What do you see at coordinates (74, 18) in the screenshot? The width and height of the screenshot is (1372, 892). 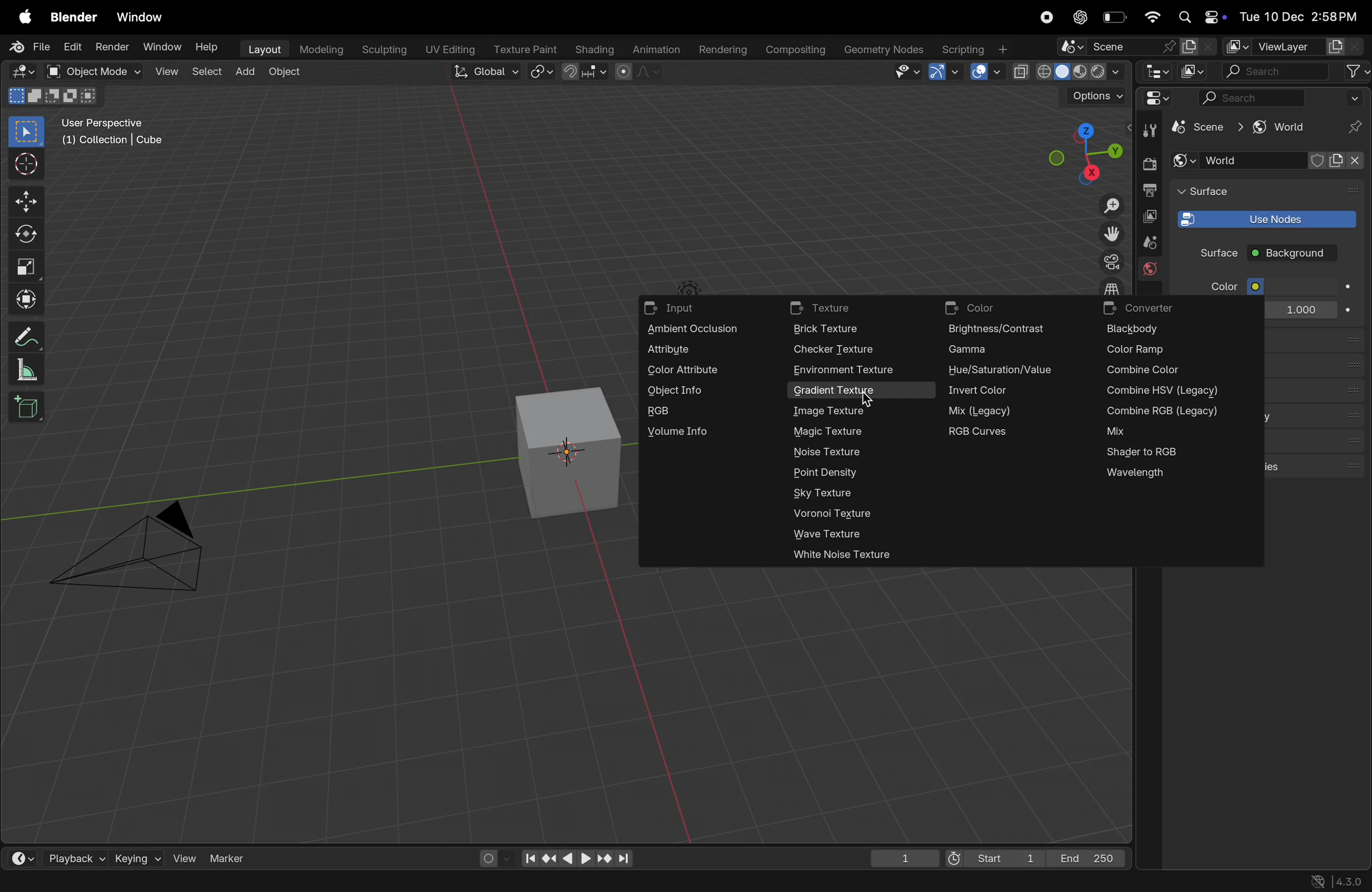 I see `Blender` at bounding box center [74, 18].